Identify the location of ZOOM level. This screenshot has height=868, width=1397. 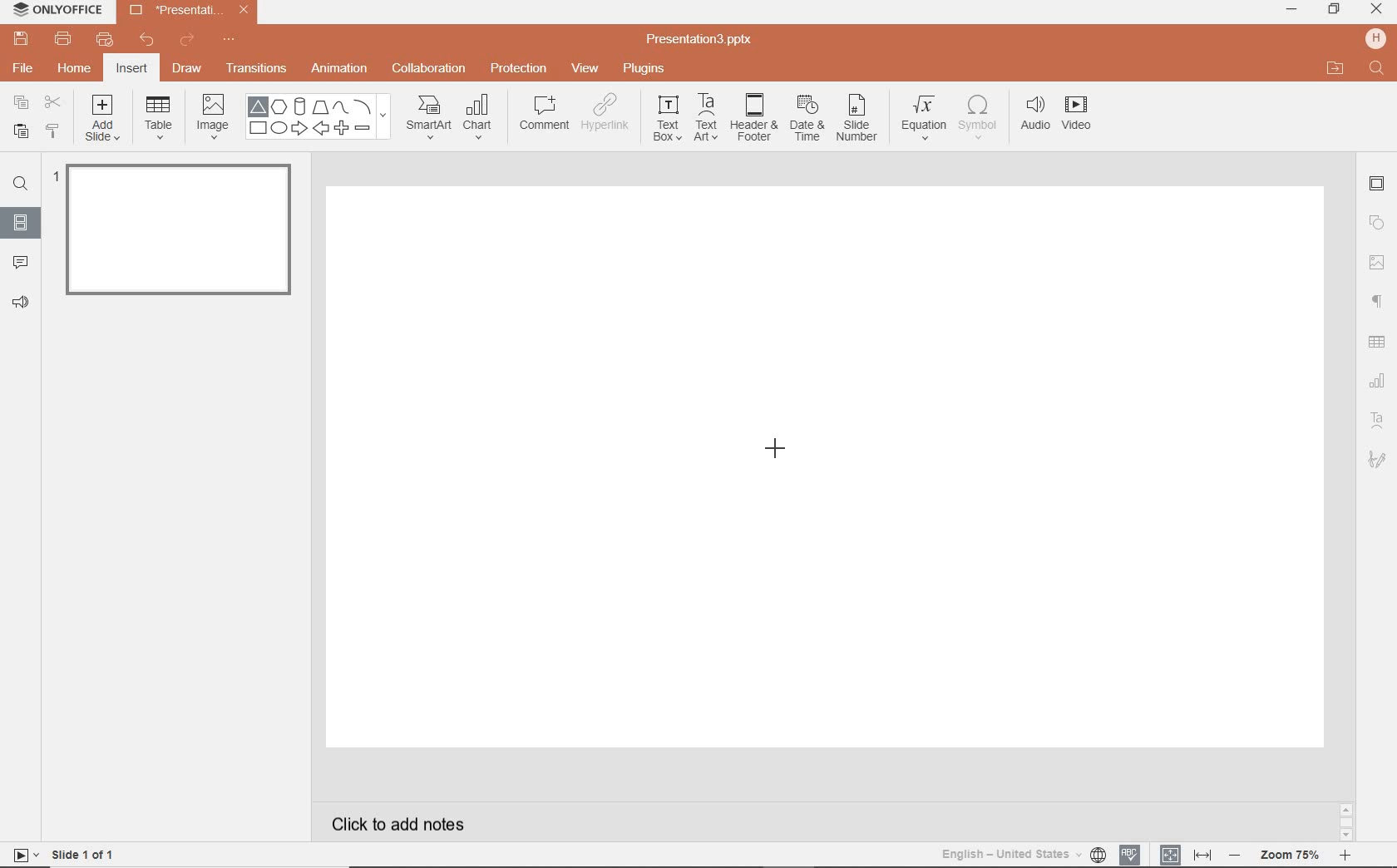
(1291, 856).